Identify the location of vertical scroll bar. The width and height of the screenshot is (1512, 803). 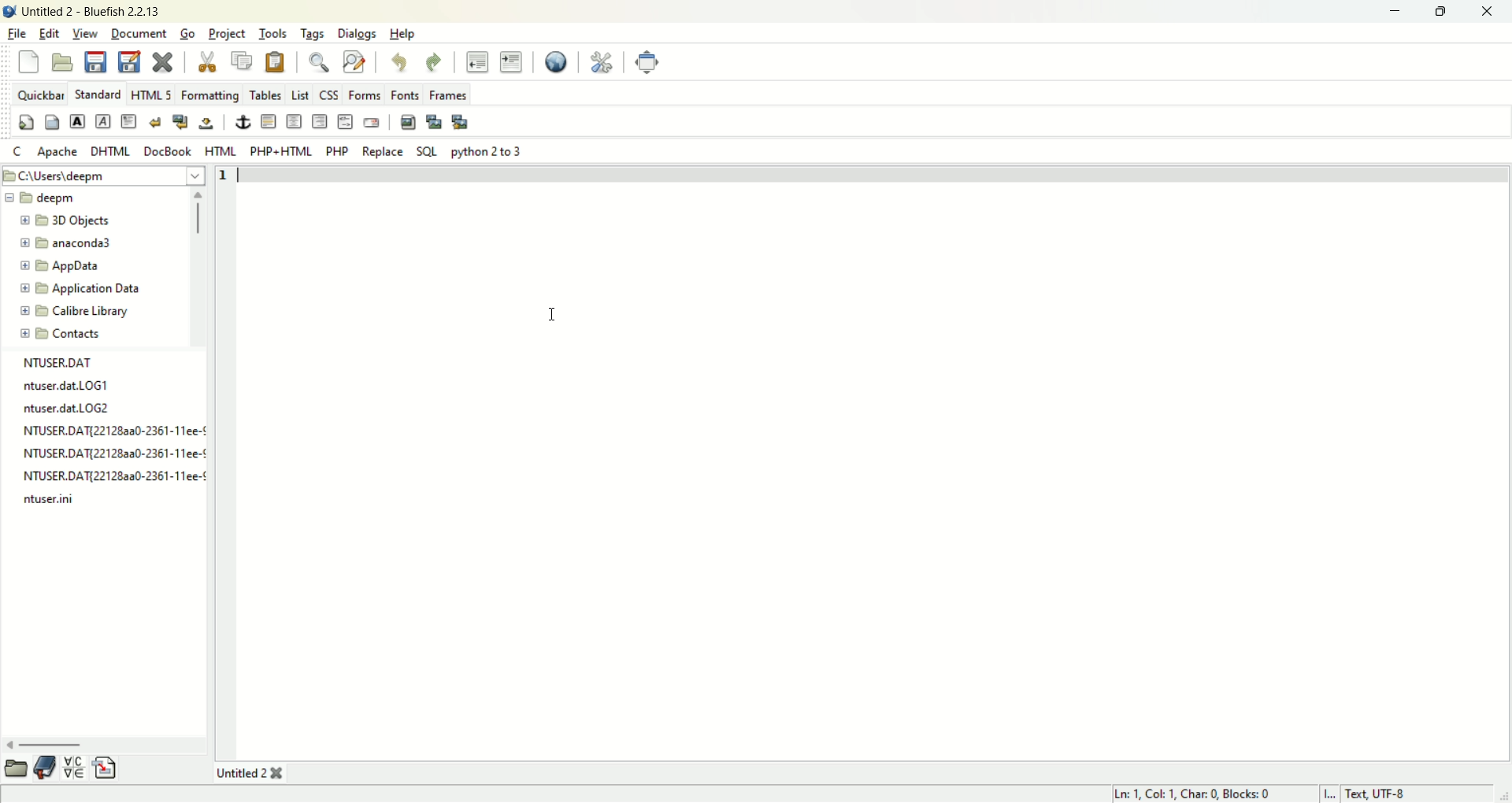
(199, 268).